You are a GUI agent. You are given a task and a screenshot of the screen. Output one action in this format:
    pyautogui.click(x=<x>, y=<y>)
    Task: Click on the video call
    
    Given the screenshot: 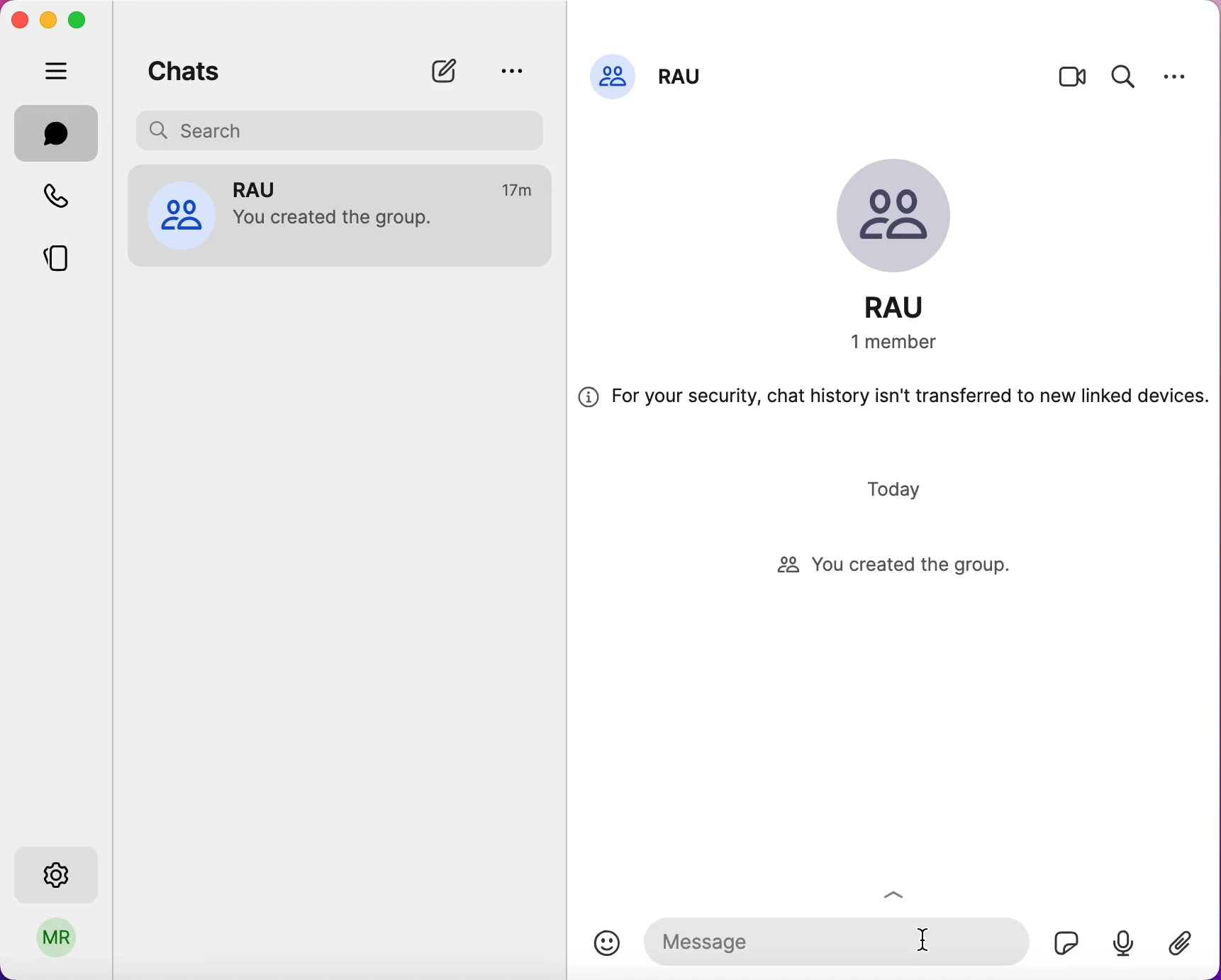 What is the action you would take?
    pyautogui.click(x=1073, y=80)
    